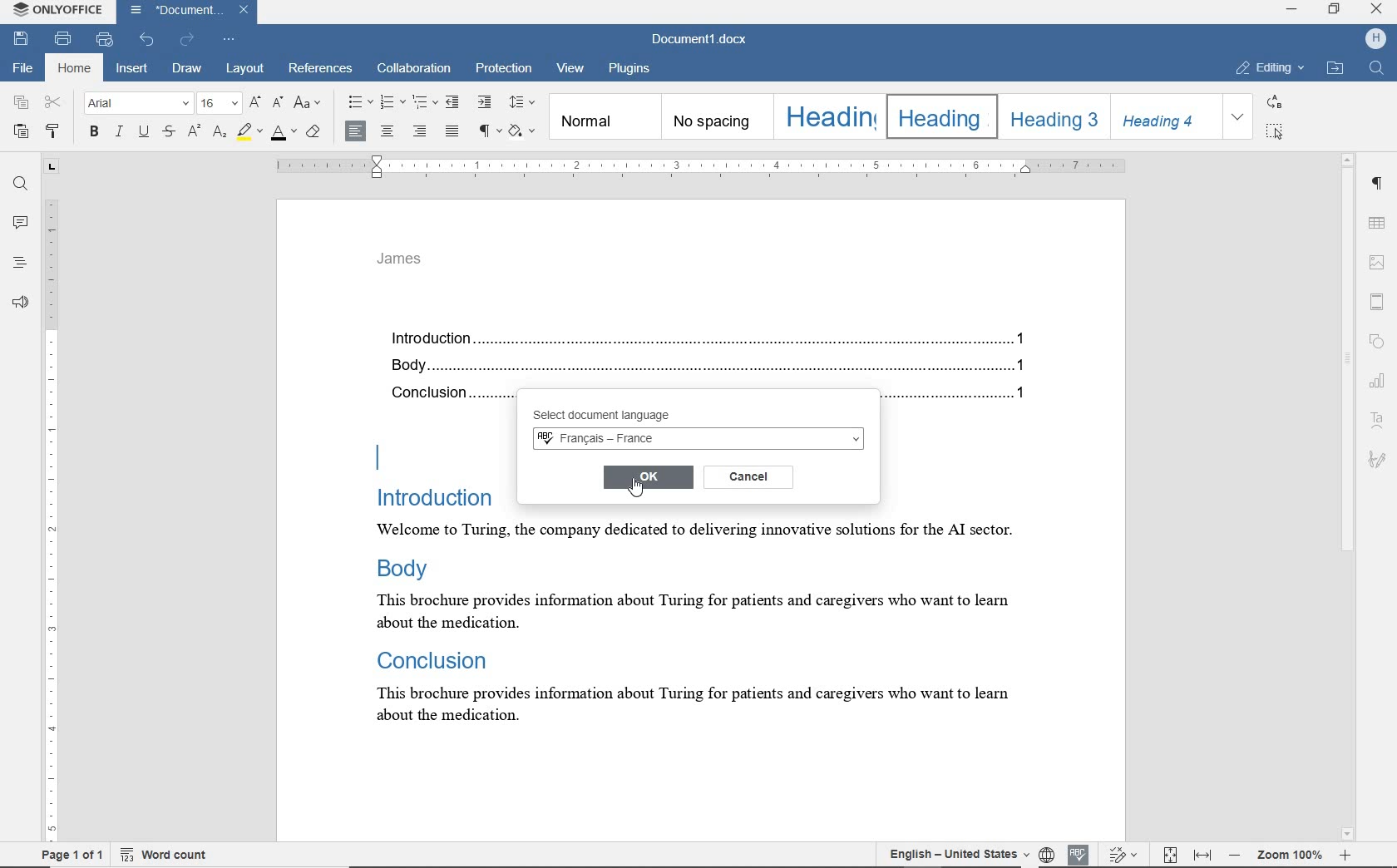 Image resolution: width=1397 pixels, height=868 pixels. Describe the element at coordinates (715, 117) in the screenshot. I see `no spacing` at that location.